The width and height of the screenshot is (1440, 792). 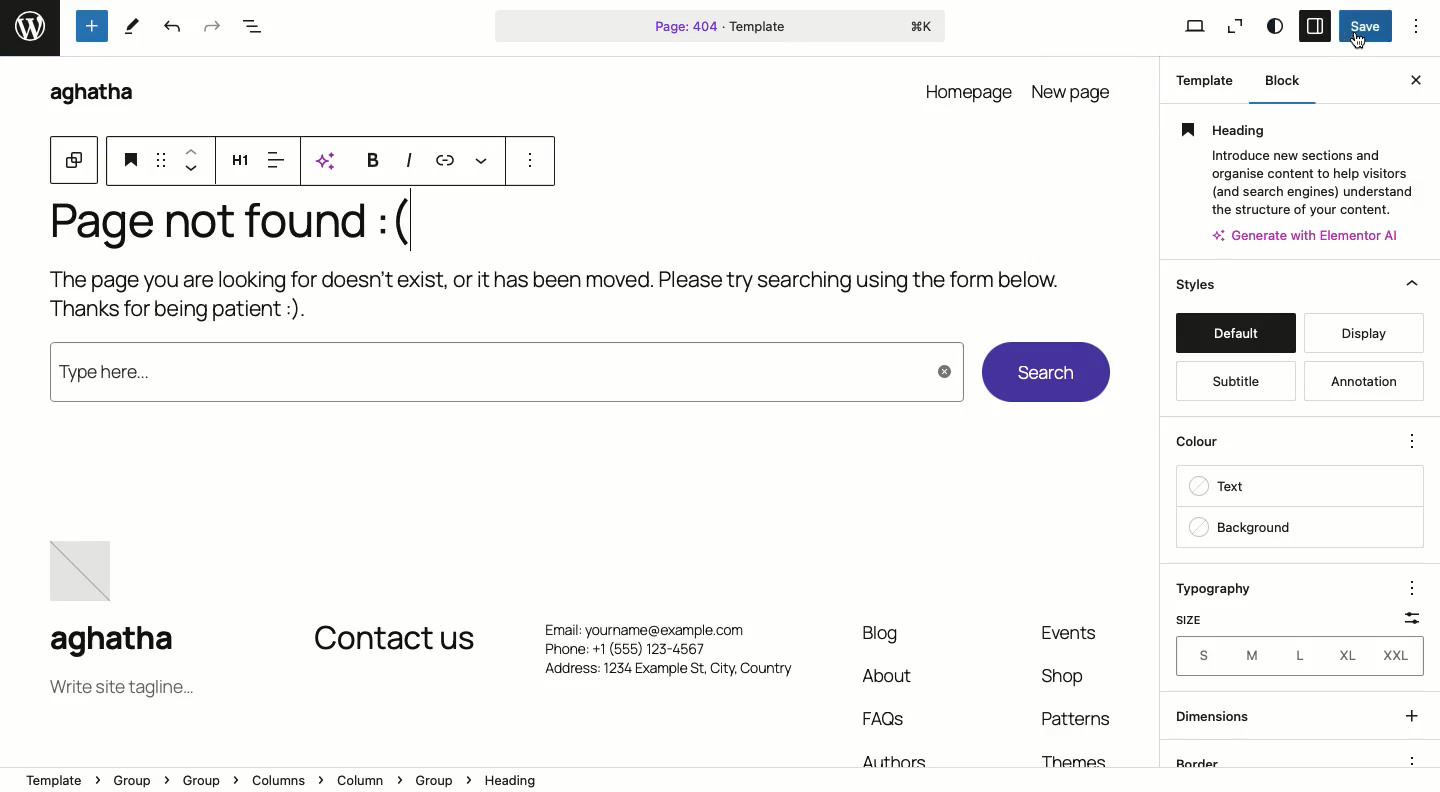 I want to click on Template, so click(x=1199, y=79).